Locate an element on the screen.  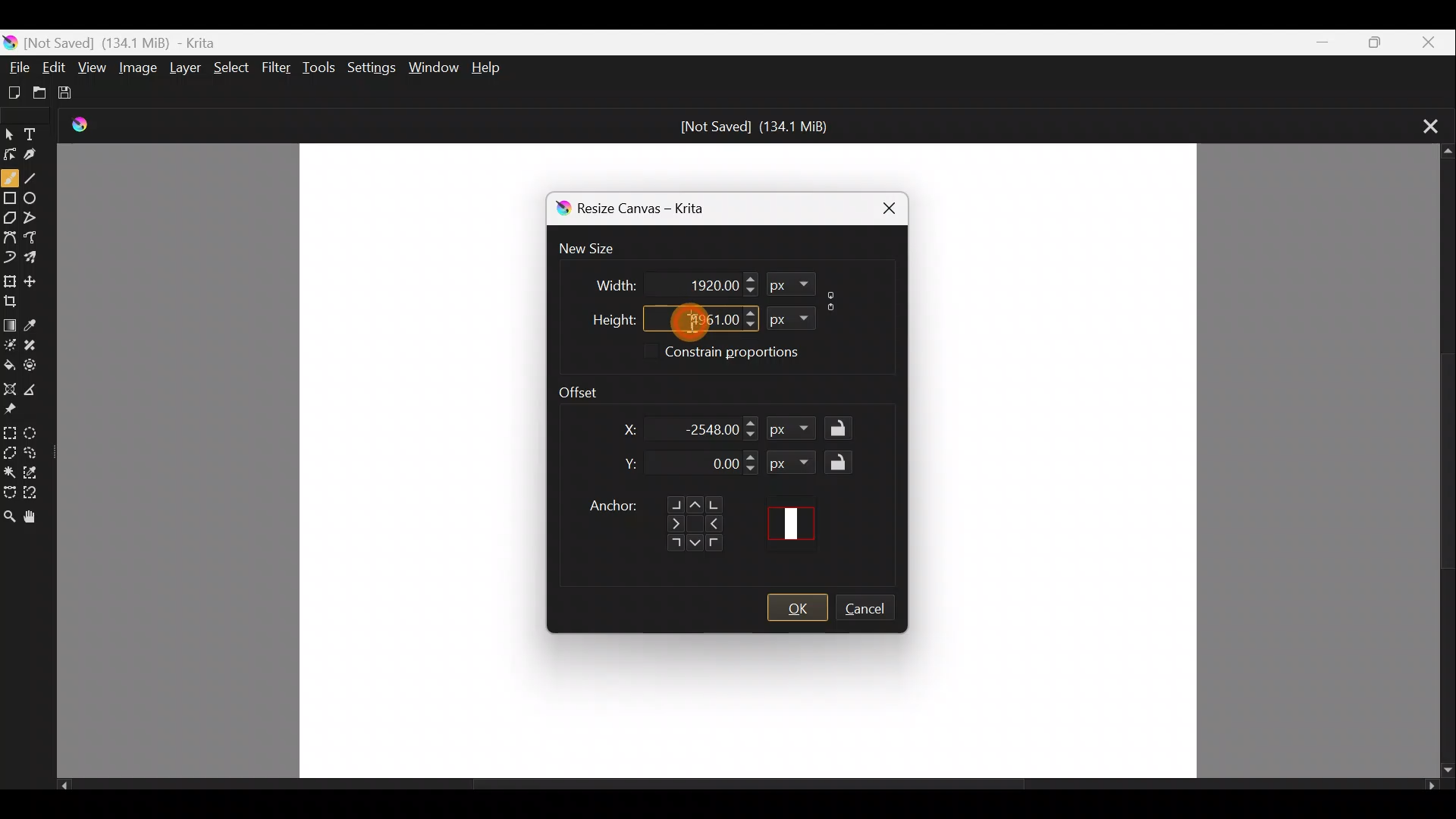
Constrain proportions is located at coordinates (752, 354).